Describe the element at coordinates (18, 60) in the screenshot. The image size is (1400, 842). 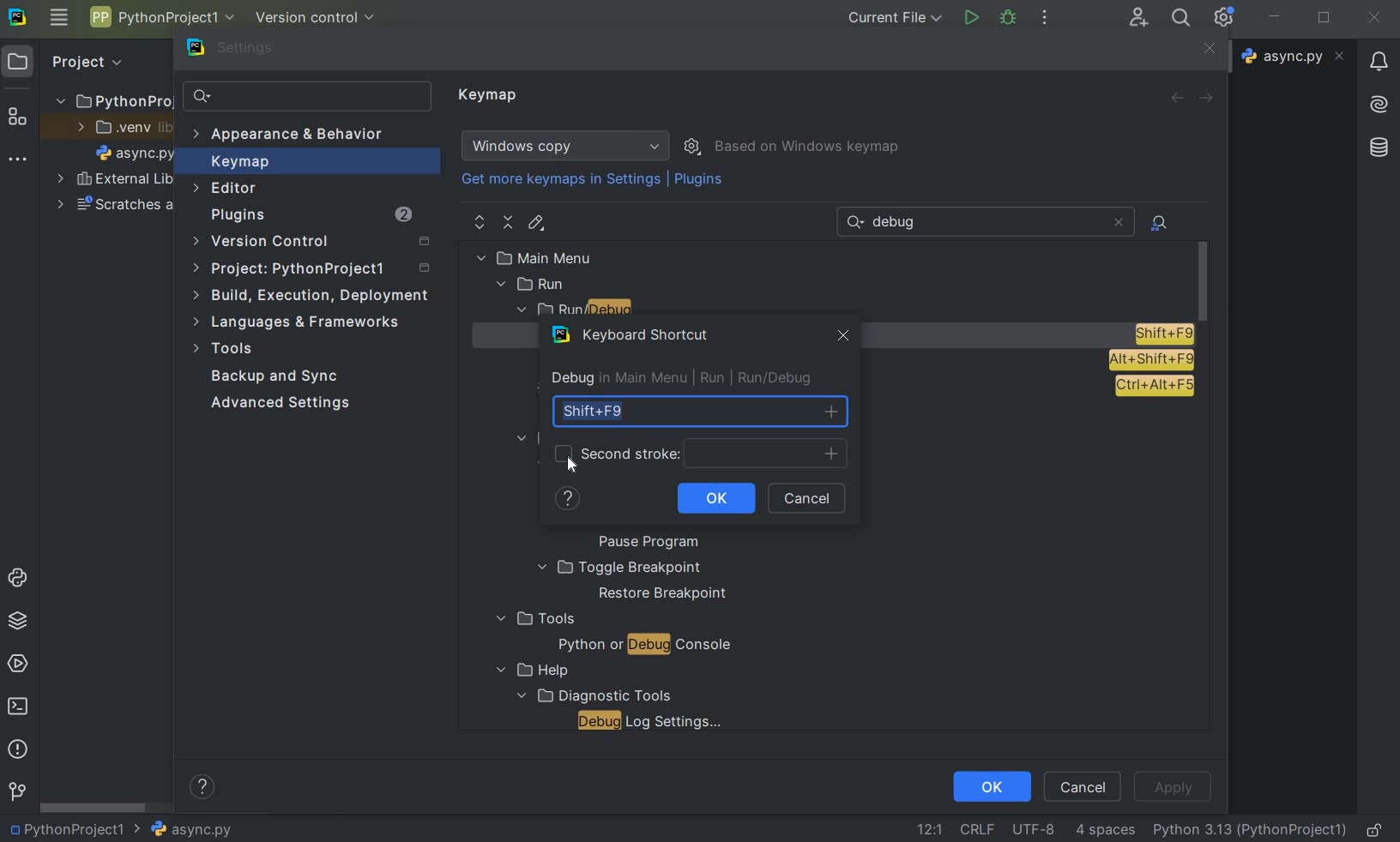
I see `project icon` at that location.